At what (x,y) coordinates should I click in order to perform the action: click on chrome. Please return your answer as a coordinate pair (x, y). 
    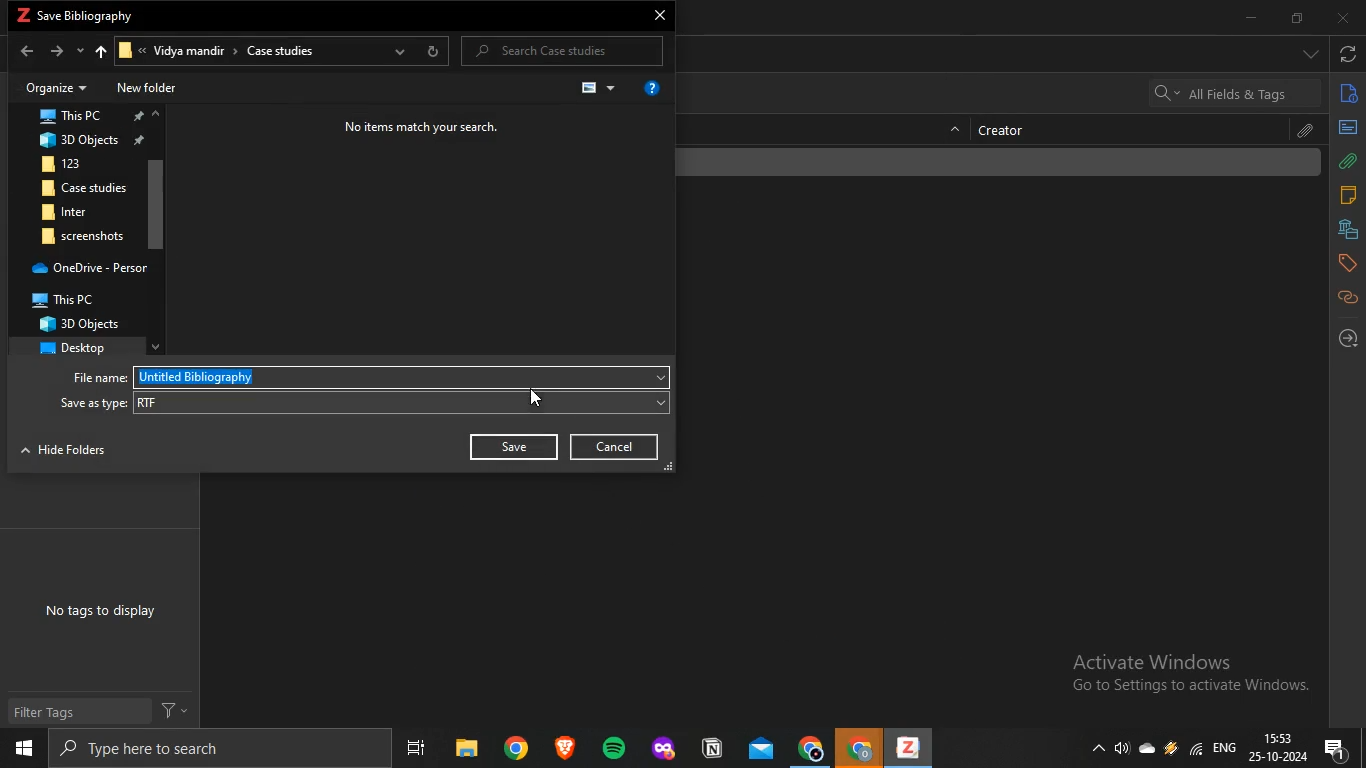
    Looking at the image, I should click on (860, 748).